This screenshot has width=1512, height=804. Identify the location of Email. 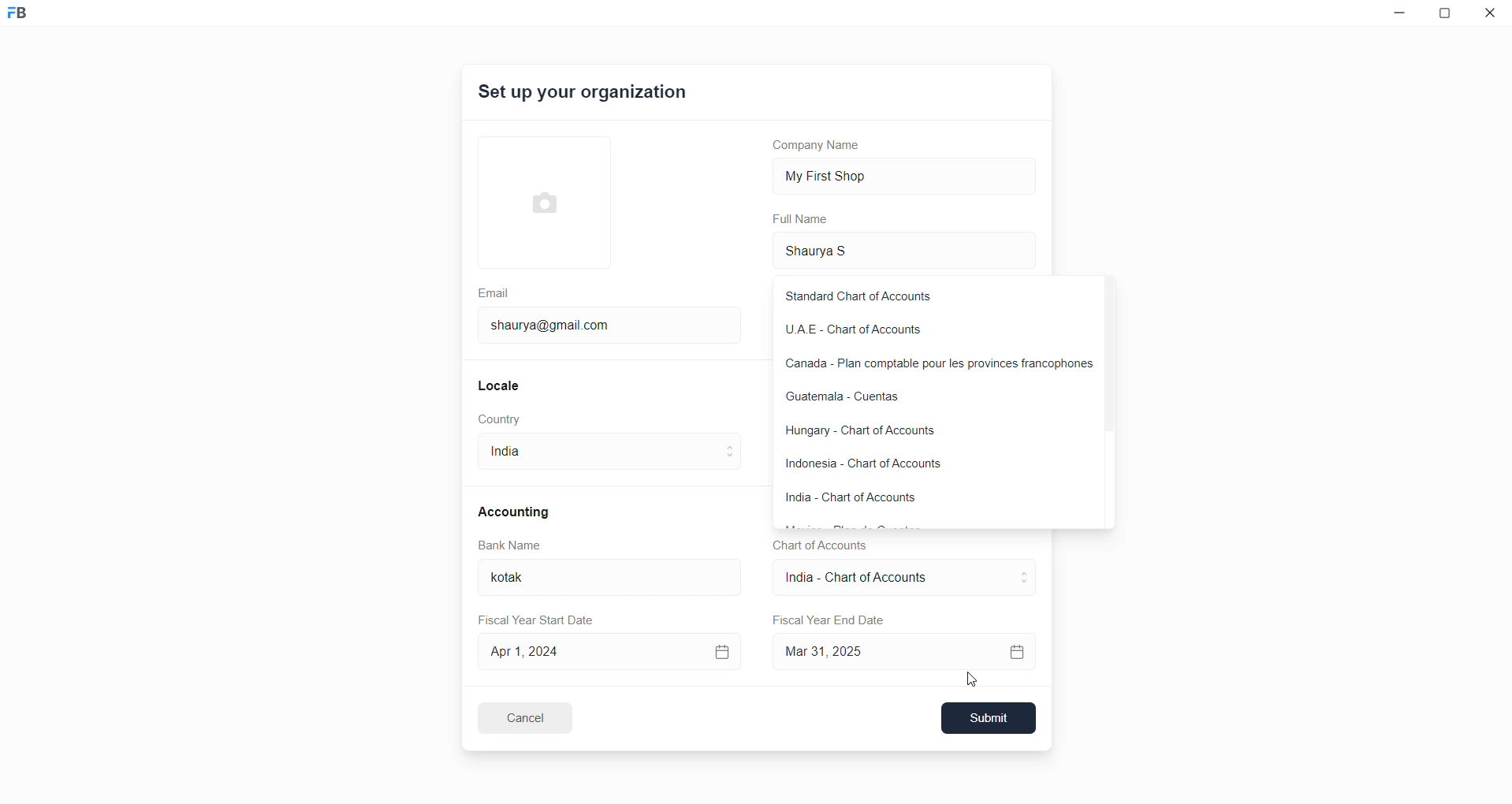
(496, 291).